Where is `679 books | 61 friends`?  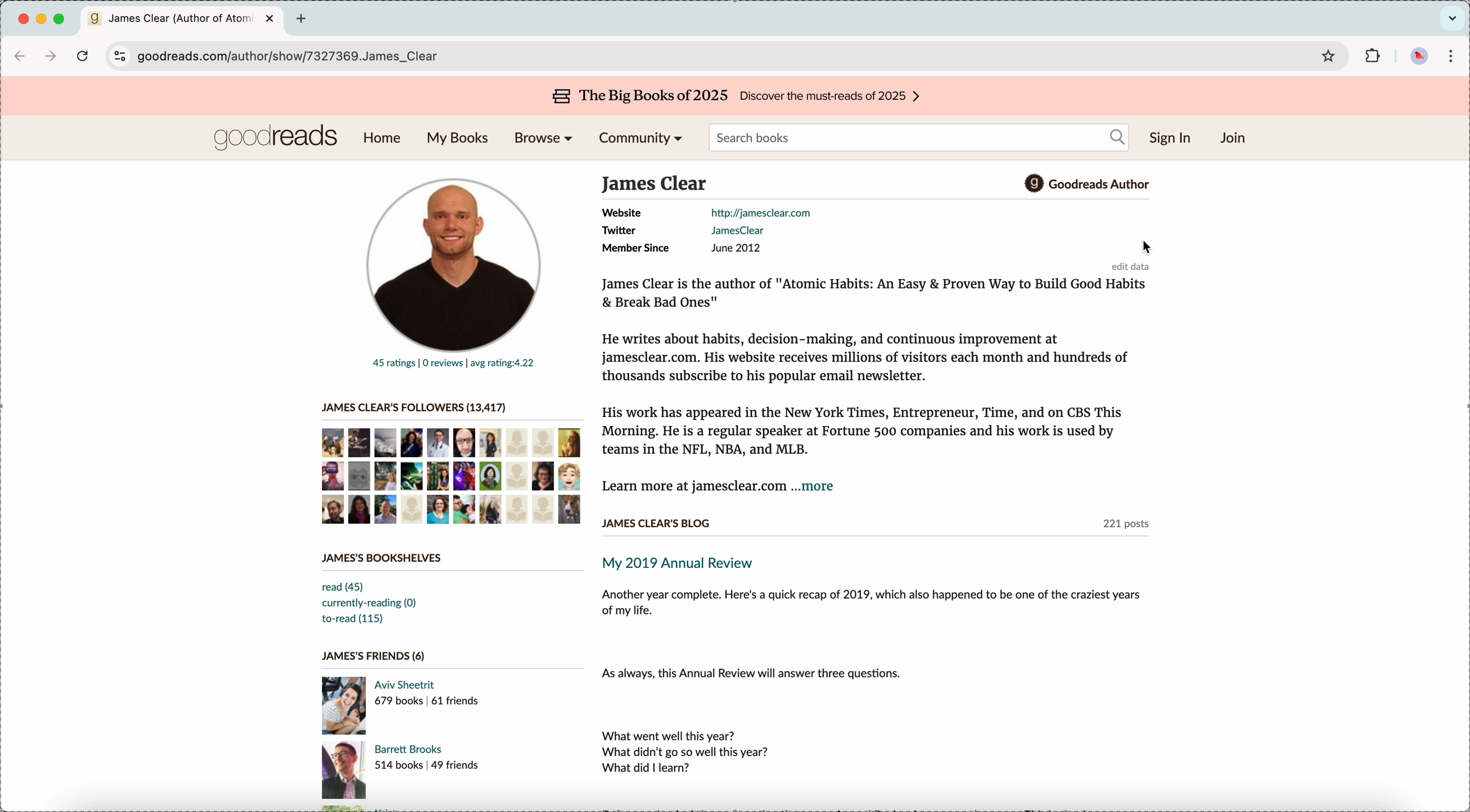
679 books | 61 friends is located at coordinates (427, 701).